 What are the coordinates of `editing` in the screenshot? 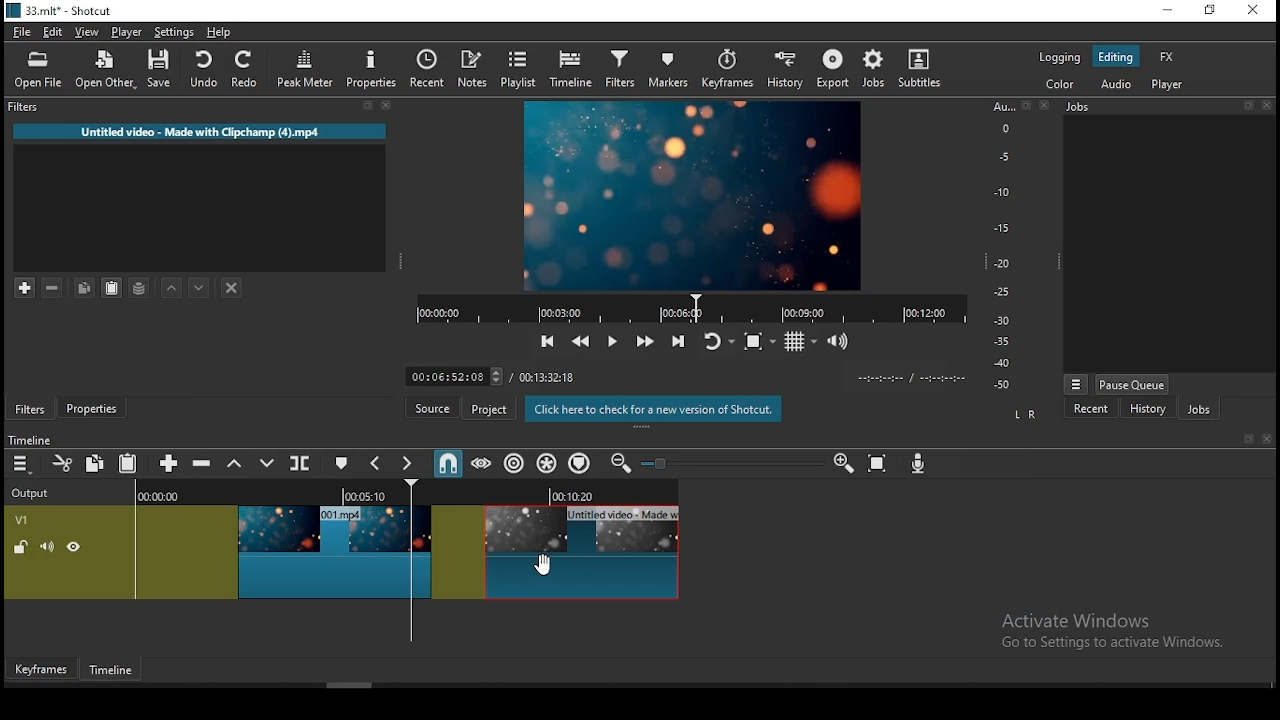 It's located at (1117, 60).